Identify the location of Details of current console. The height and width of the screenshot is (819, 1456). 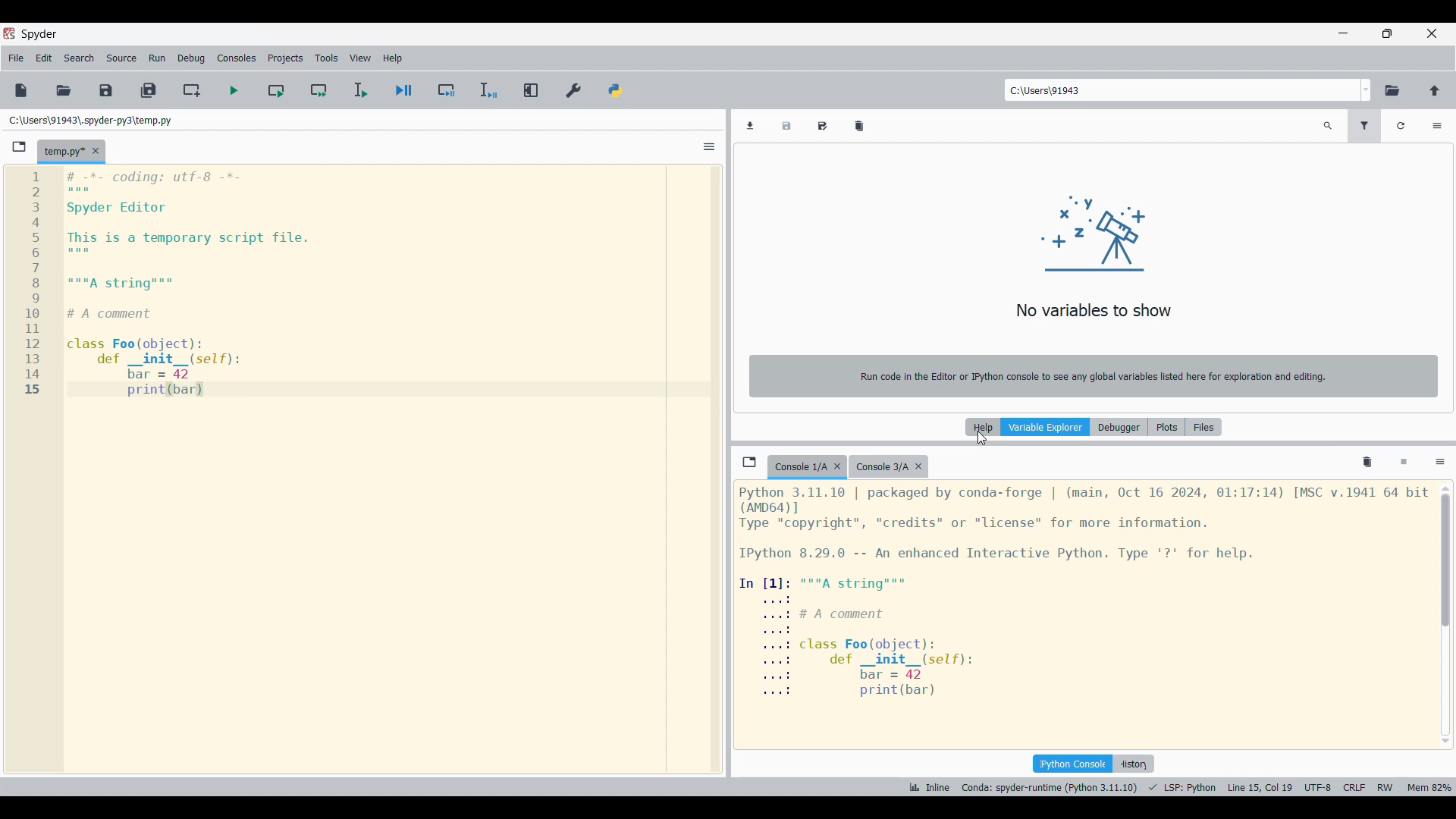
(1084, 591).